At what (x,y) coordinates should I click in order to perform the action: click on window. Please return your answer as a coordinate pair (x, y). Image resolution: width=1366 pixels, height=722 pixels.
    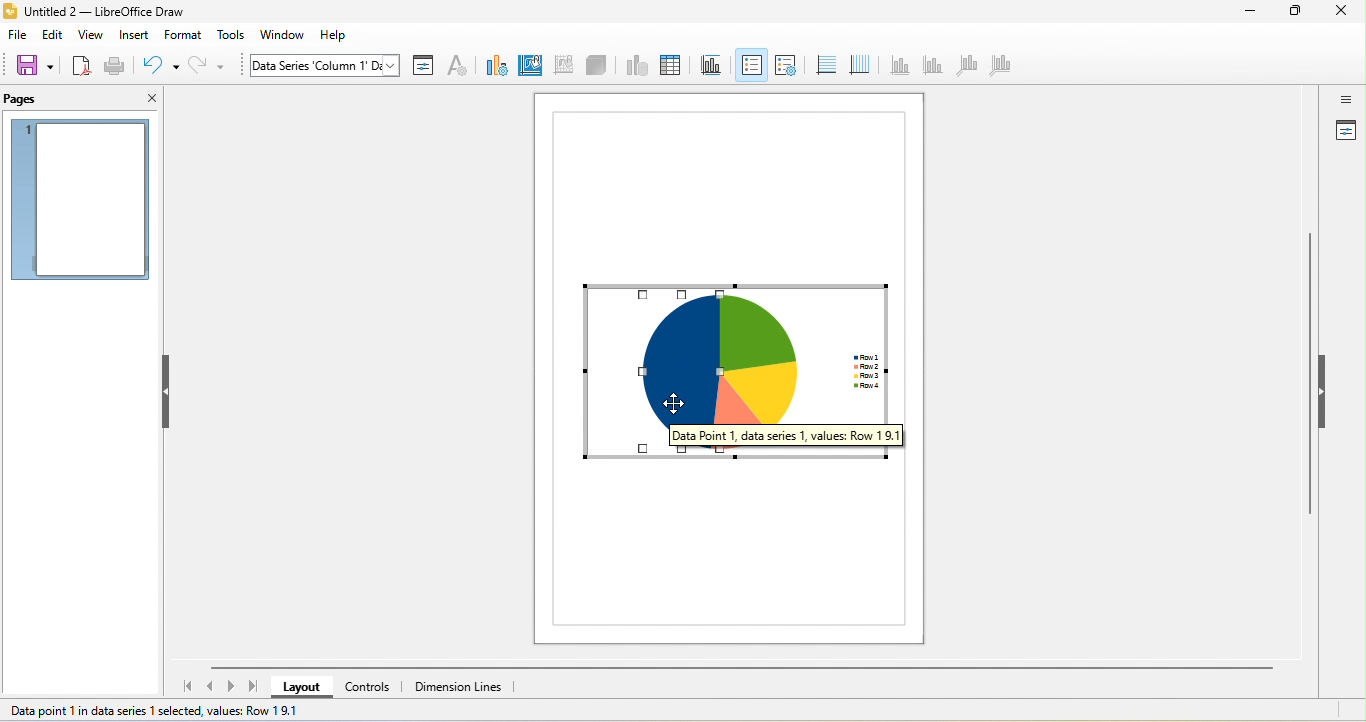
    Looking at the image, I should click on (288, 35).